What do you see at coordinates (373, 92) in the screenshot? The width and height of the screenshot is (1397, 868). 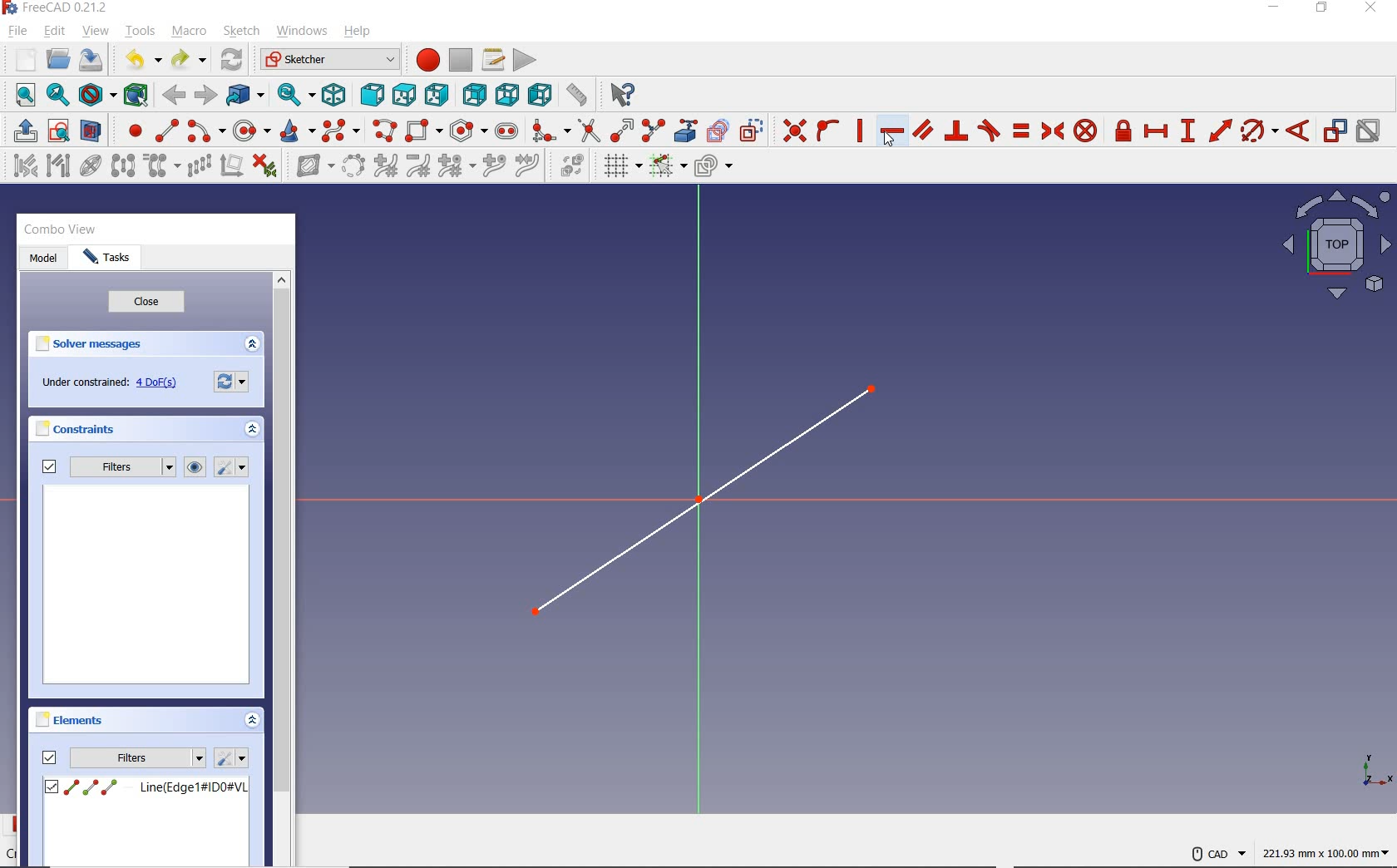 I see `FRONT` at bounding box center [373, 92].